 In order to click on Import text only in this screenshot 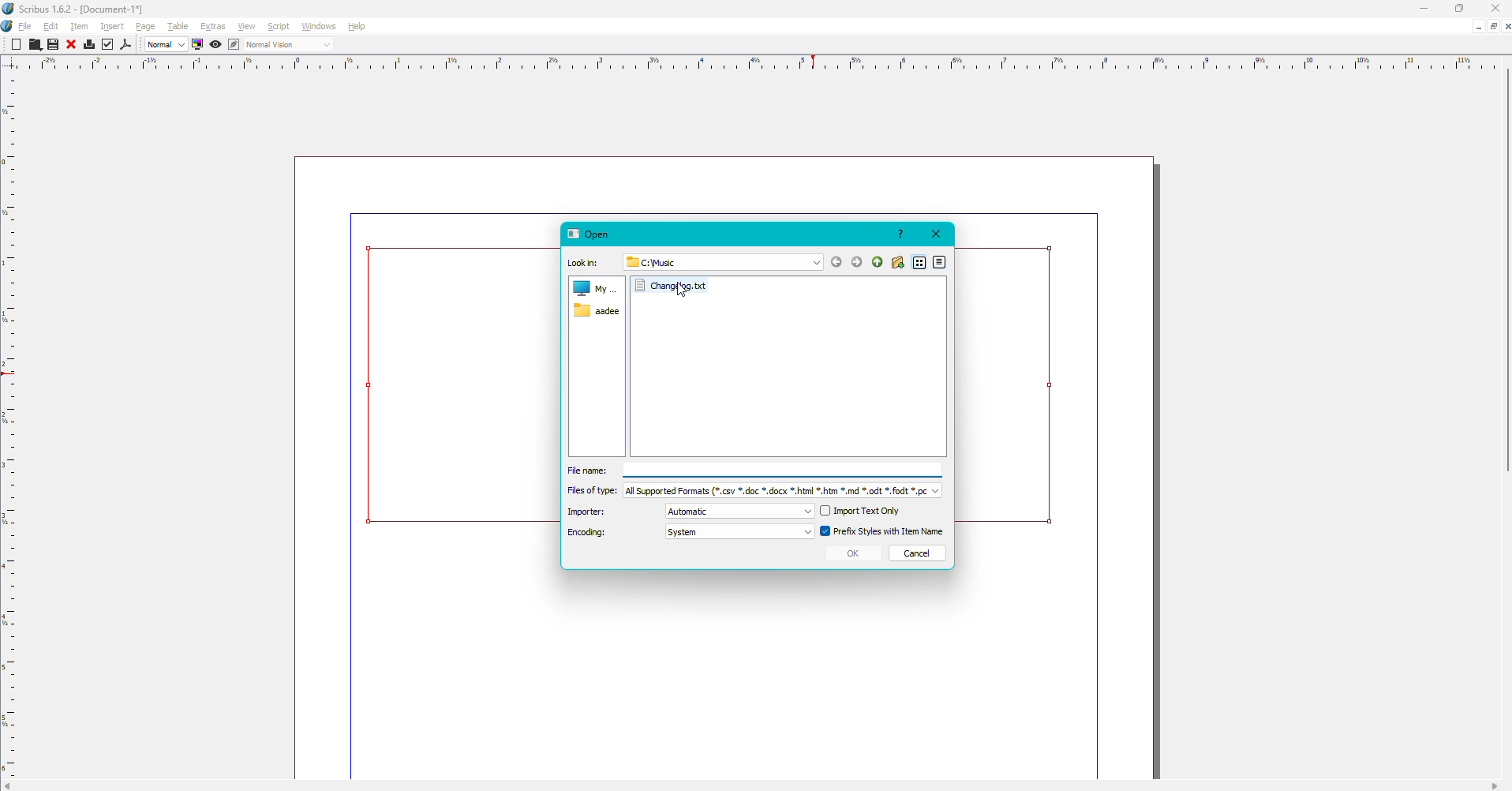, I will do `click(863, 510)`.